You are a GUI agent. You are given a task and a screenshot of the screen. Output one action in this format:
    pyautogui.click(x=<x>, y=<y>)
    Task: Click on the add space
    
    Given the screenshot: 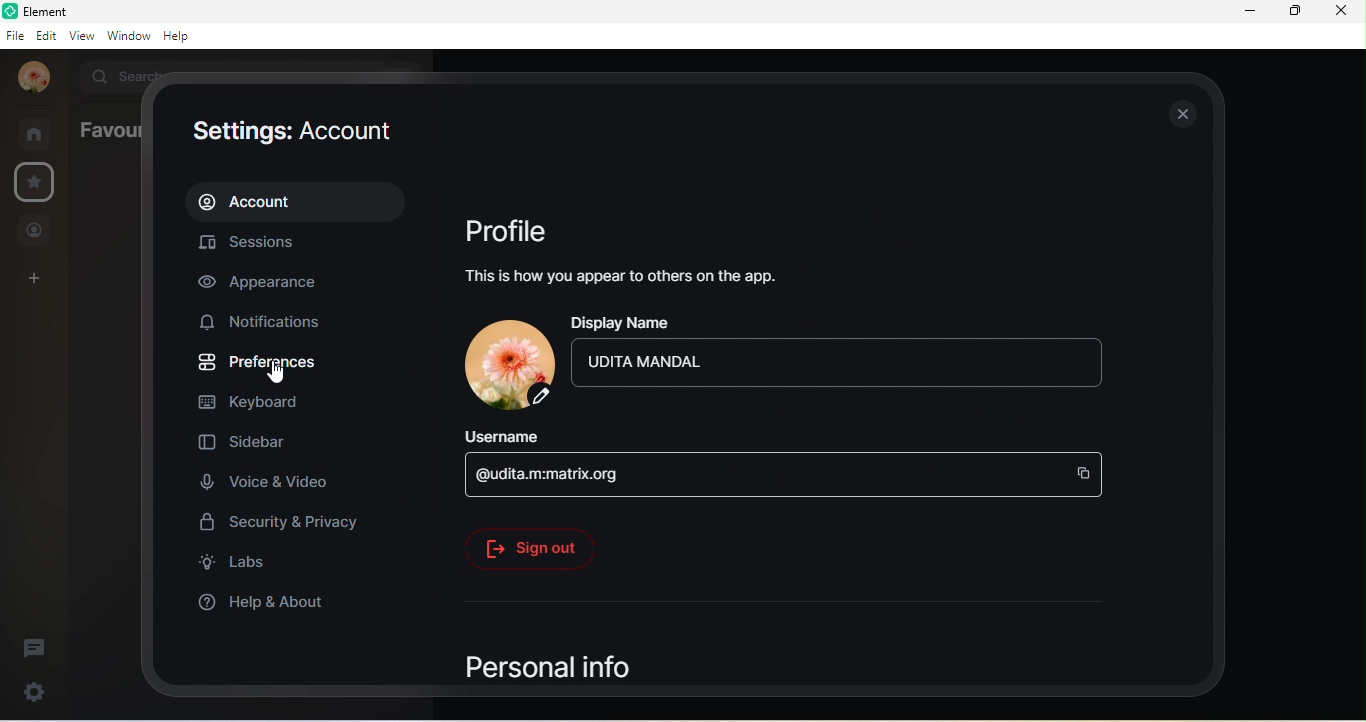 What is the action you would take?
    pyautogui.click(x=35, y=282)
    